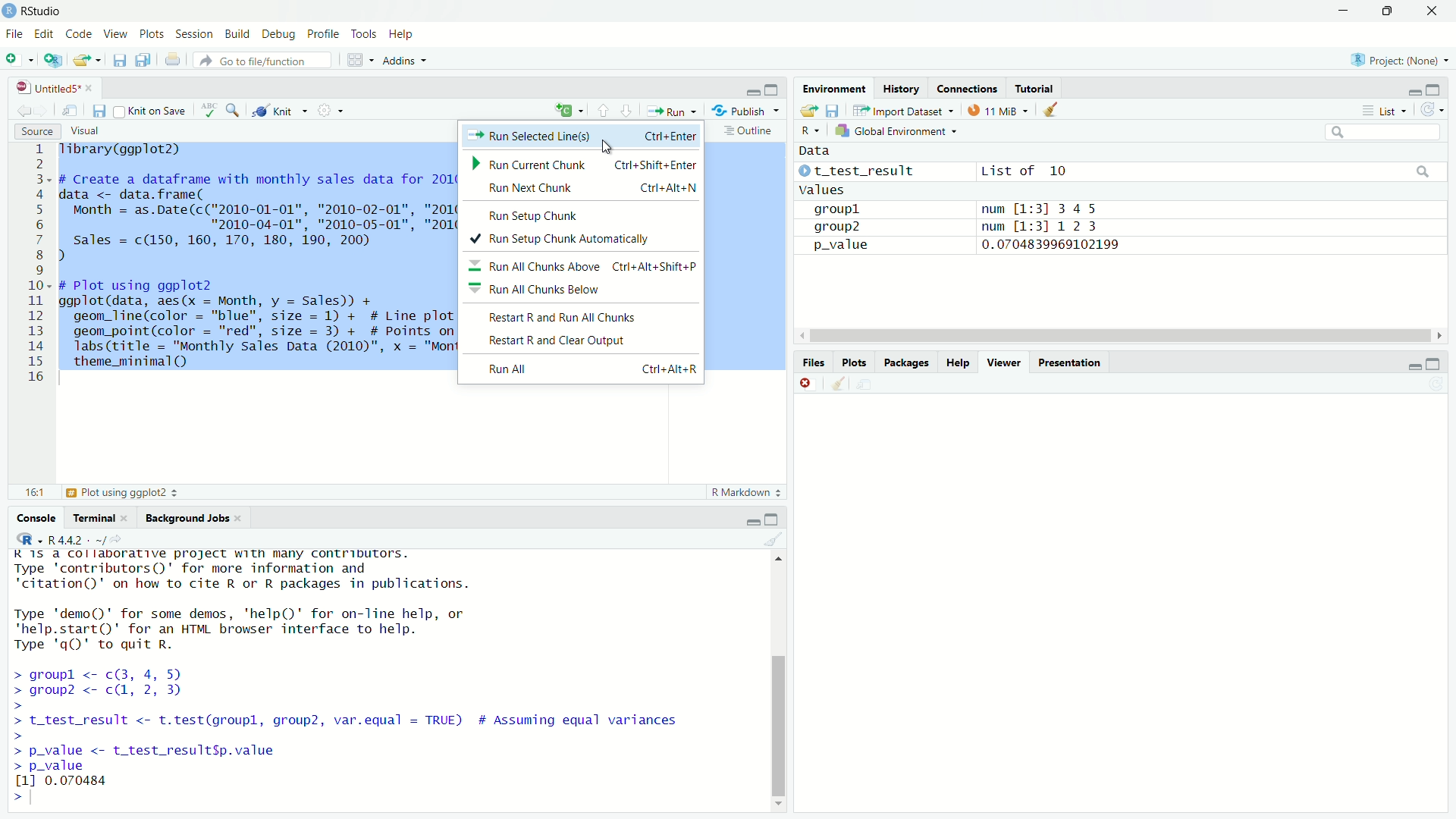  What do you see at coordinates (1382, 110) in the screenshot?
I see `List +` at bounding box center [1382, 110].